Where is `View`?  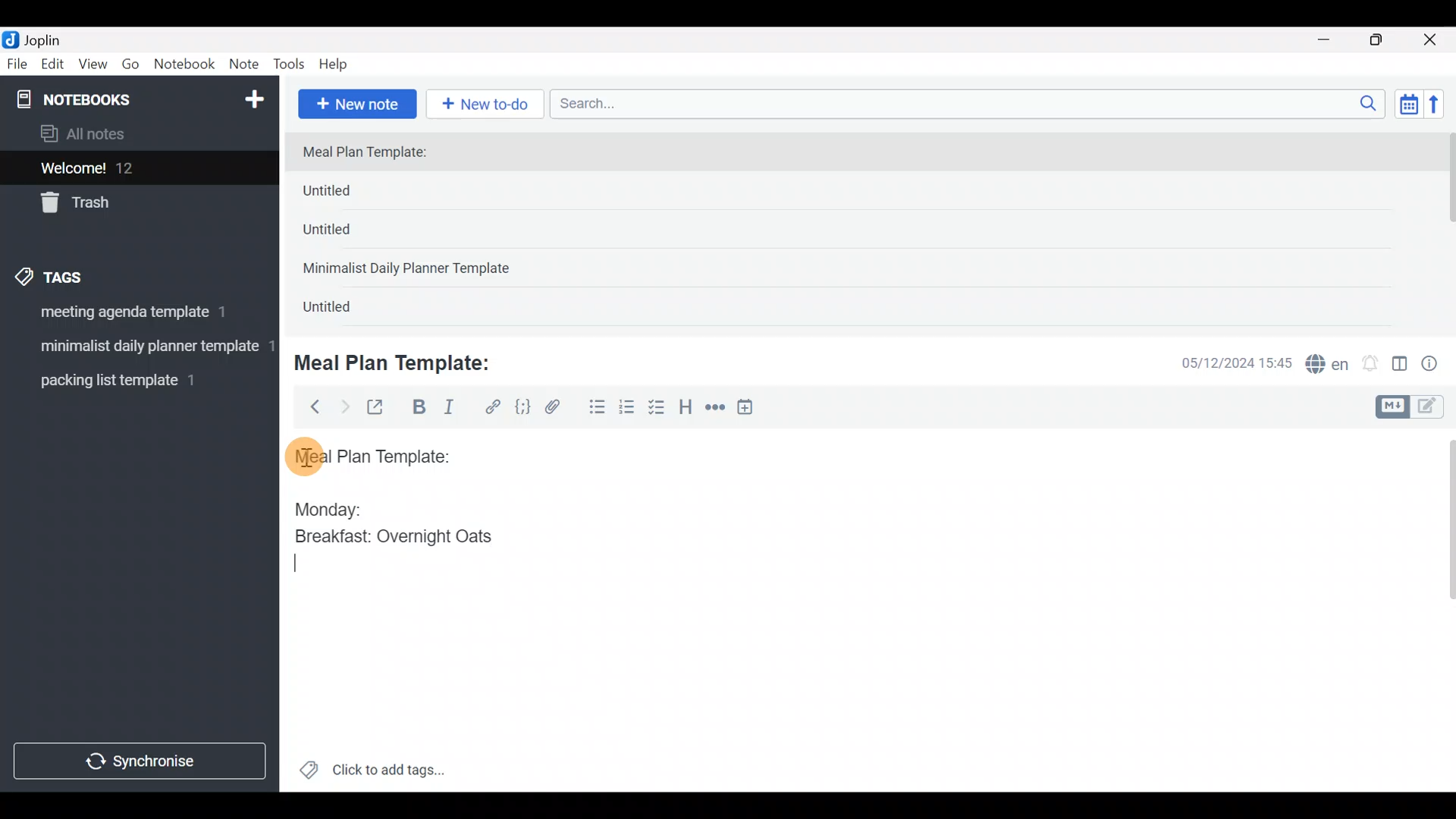
View is located at coordinates (93, 67).